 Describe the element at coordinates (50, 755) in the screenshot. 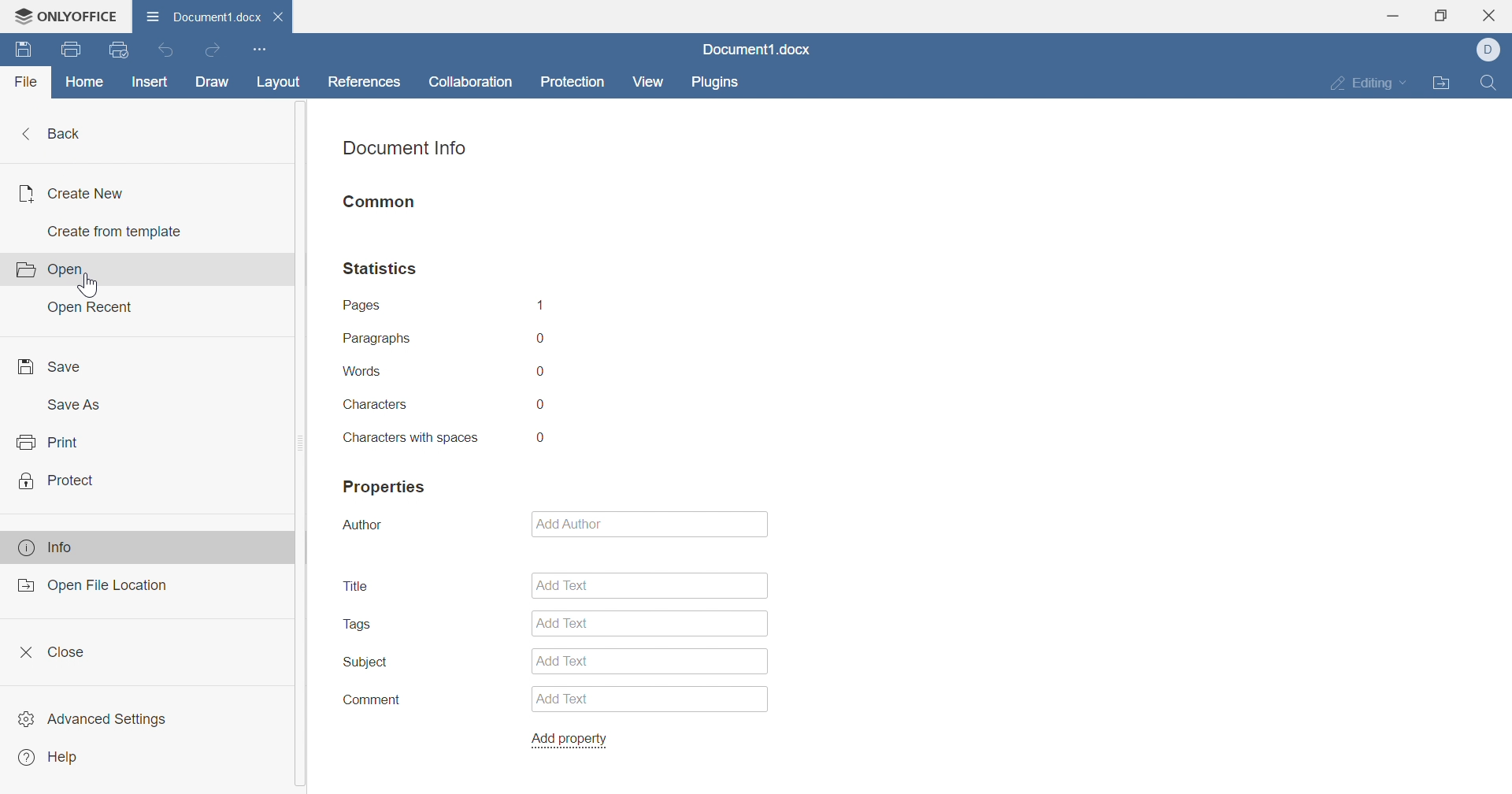

I see `help` at that location.